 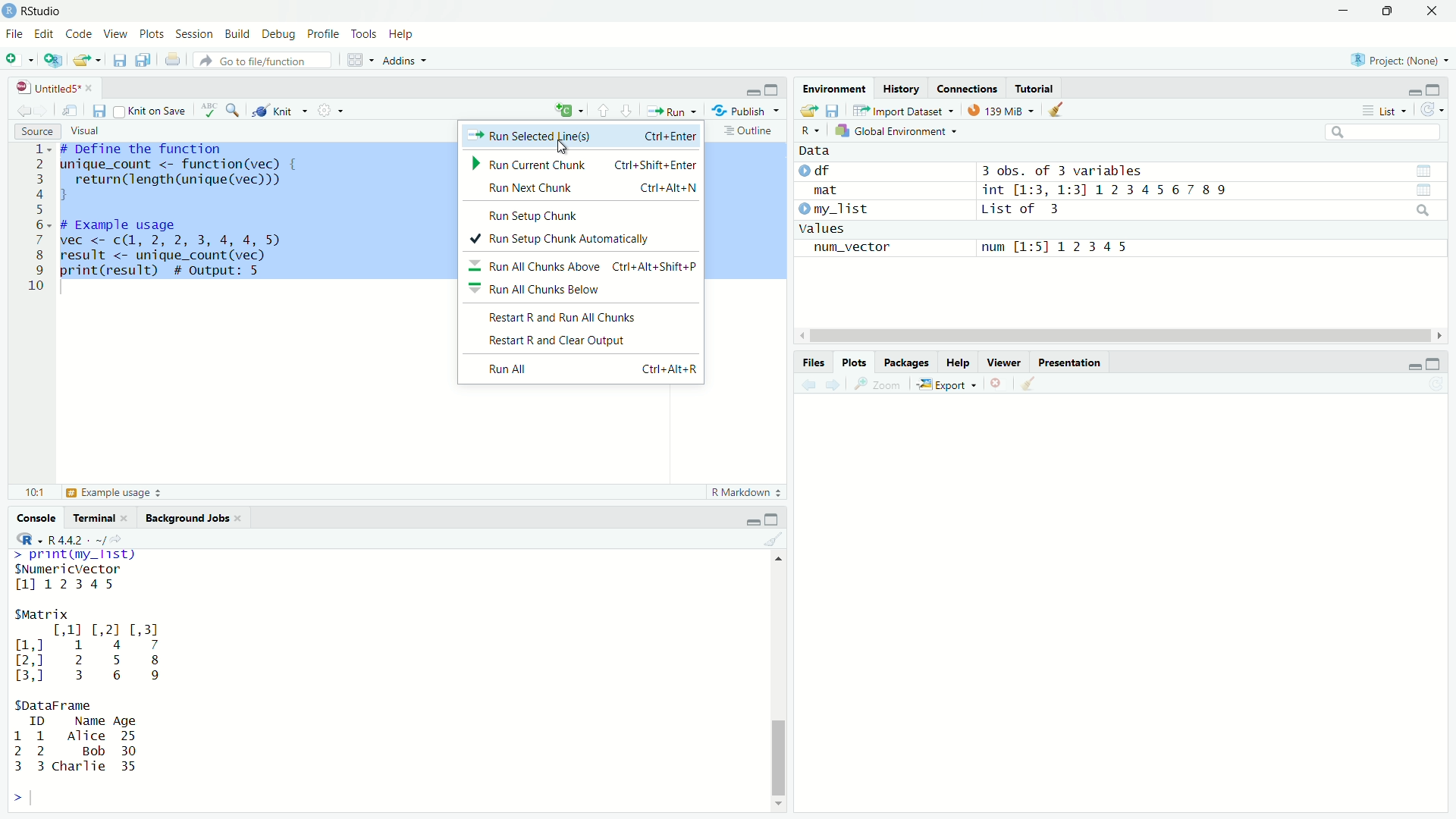 What do you see at coordinates (37, 219) in the screenshot?
I see `line numbers` at bounding box center [37, 219].